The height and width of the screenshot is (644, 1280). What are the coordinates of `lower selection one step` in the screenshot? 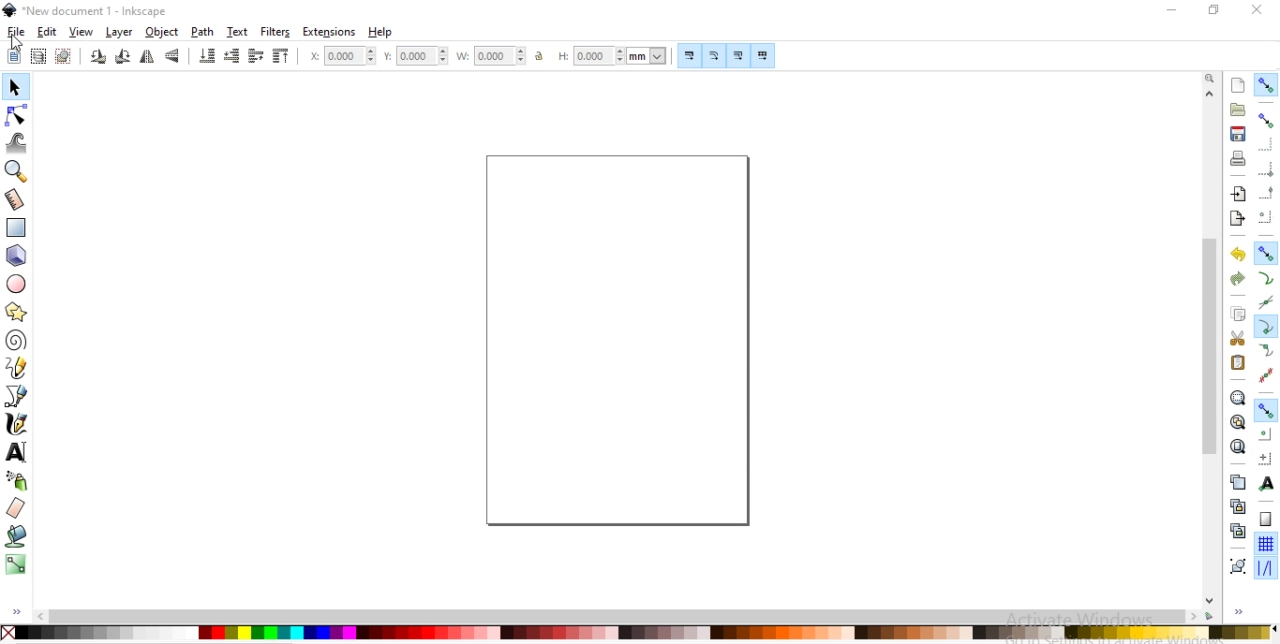 It's located at (231, 57).